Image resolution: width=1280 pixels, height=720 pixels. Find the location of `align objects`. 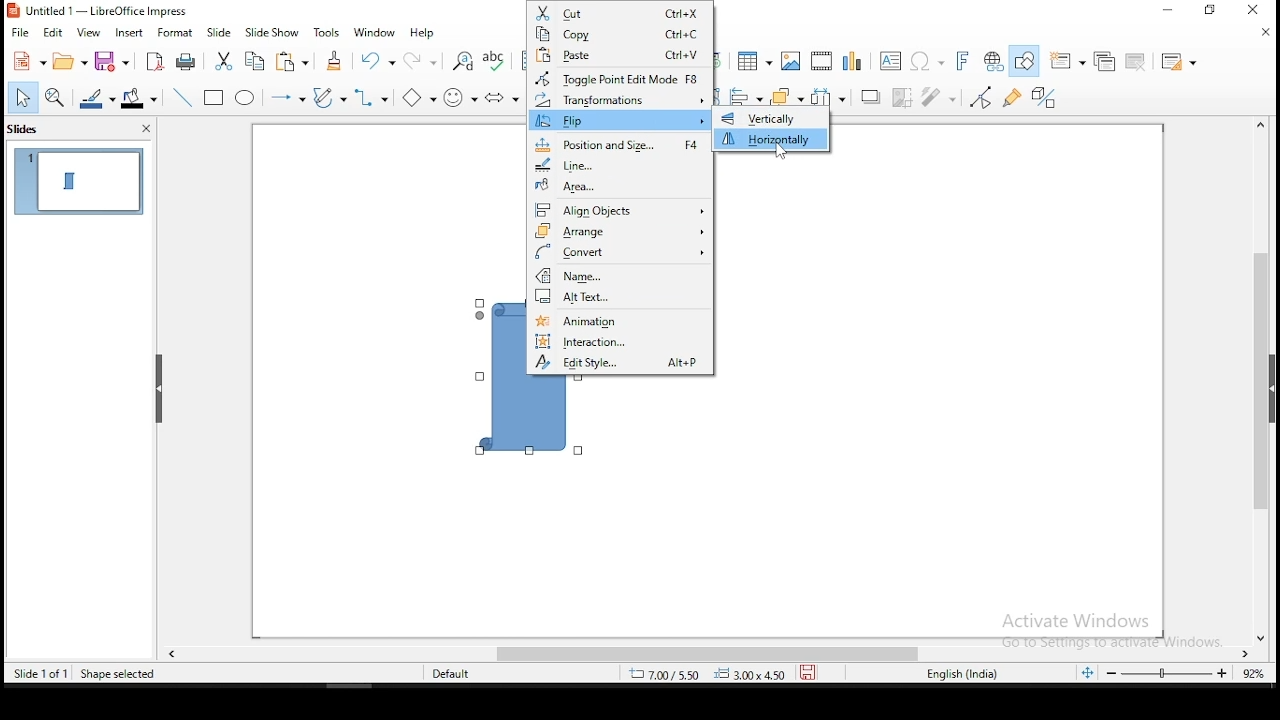

align objects is located at coordinates (616, 212).